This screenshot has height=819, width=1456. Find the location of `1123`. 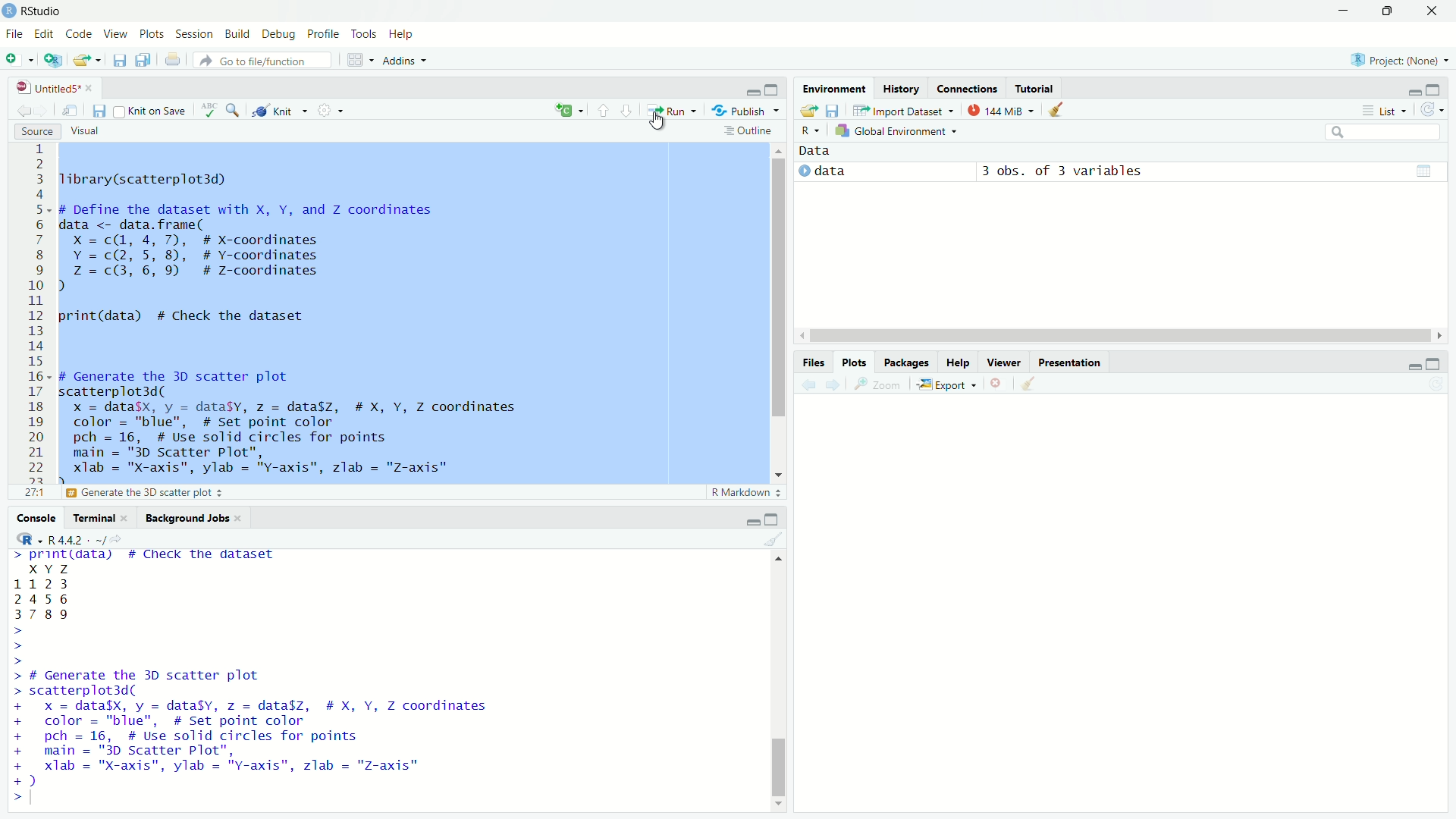

1123 is located at coordinates (44, 582).